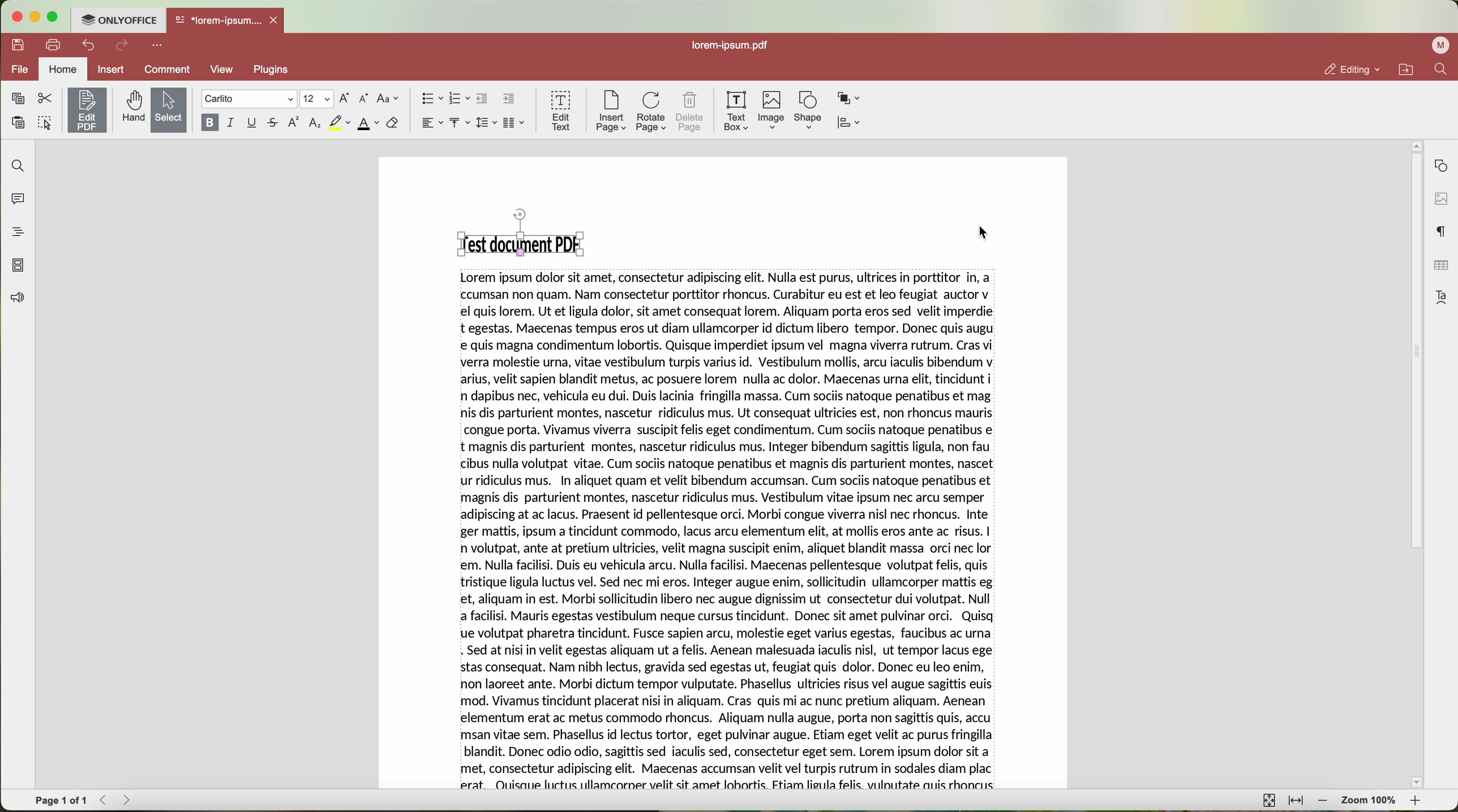  What do you see at coordinates (610, 113) in the screenshot?
I see `insert page` at bounding box center [610, 113].